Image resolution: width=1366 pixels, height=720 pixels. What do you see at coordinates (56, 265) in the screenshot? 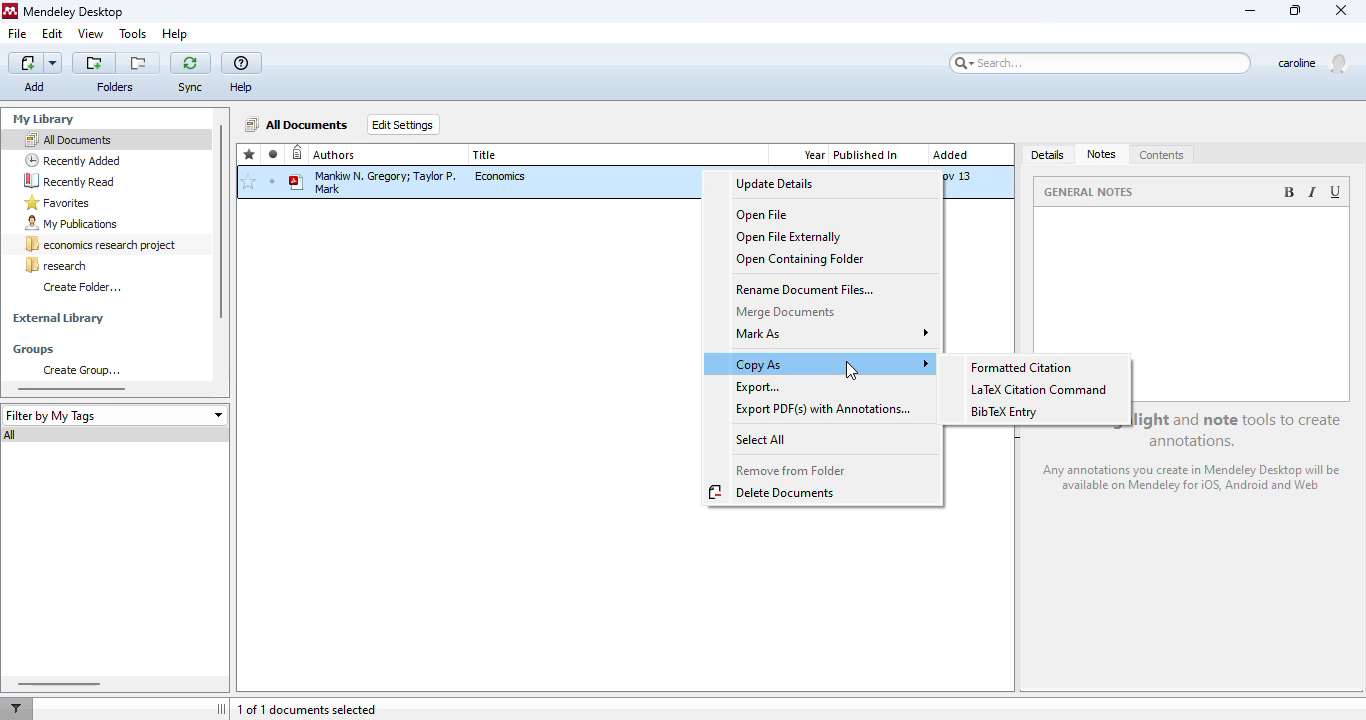
I see `research` at bounding box center [56, 265].